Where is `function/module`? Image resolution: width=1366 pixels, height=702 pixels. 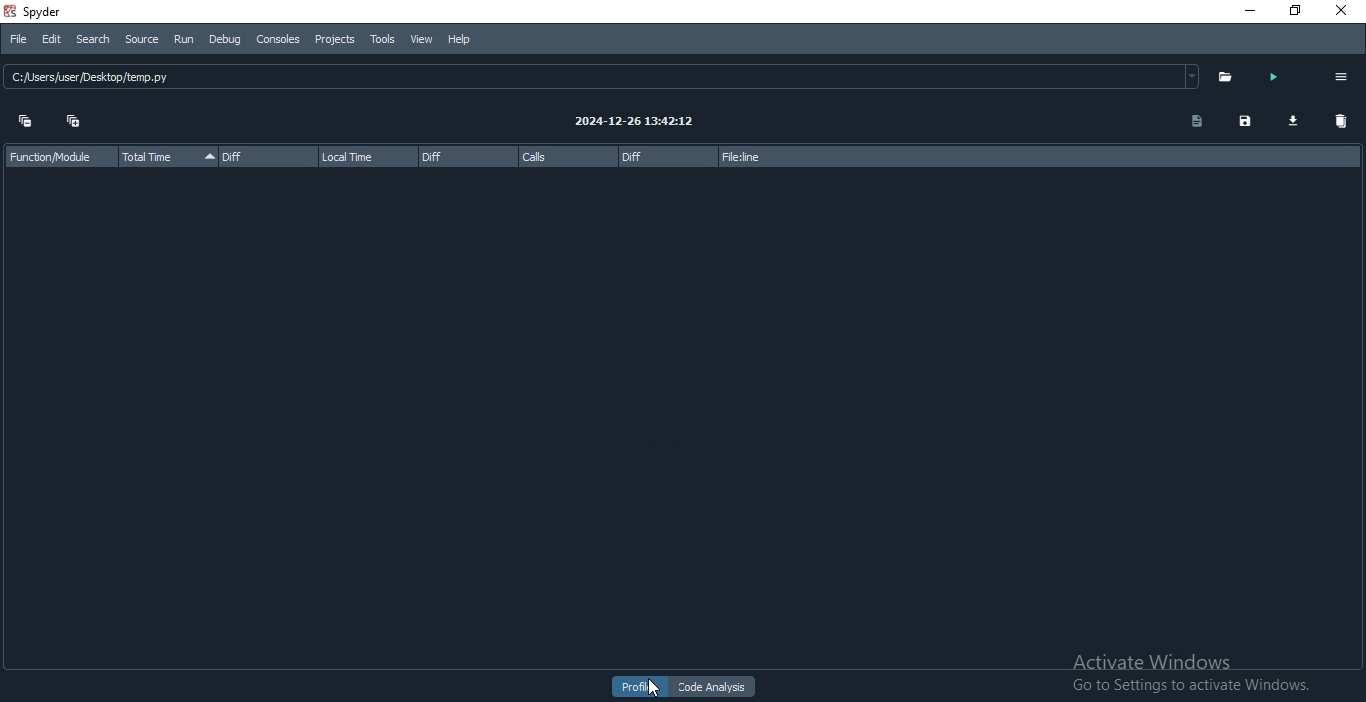 function/module is located at coordinates (56, 157).